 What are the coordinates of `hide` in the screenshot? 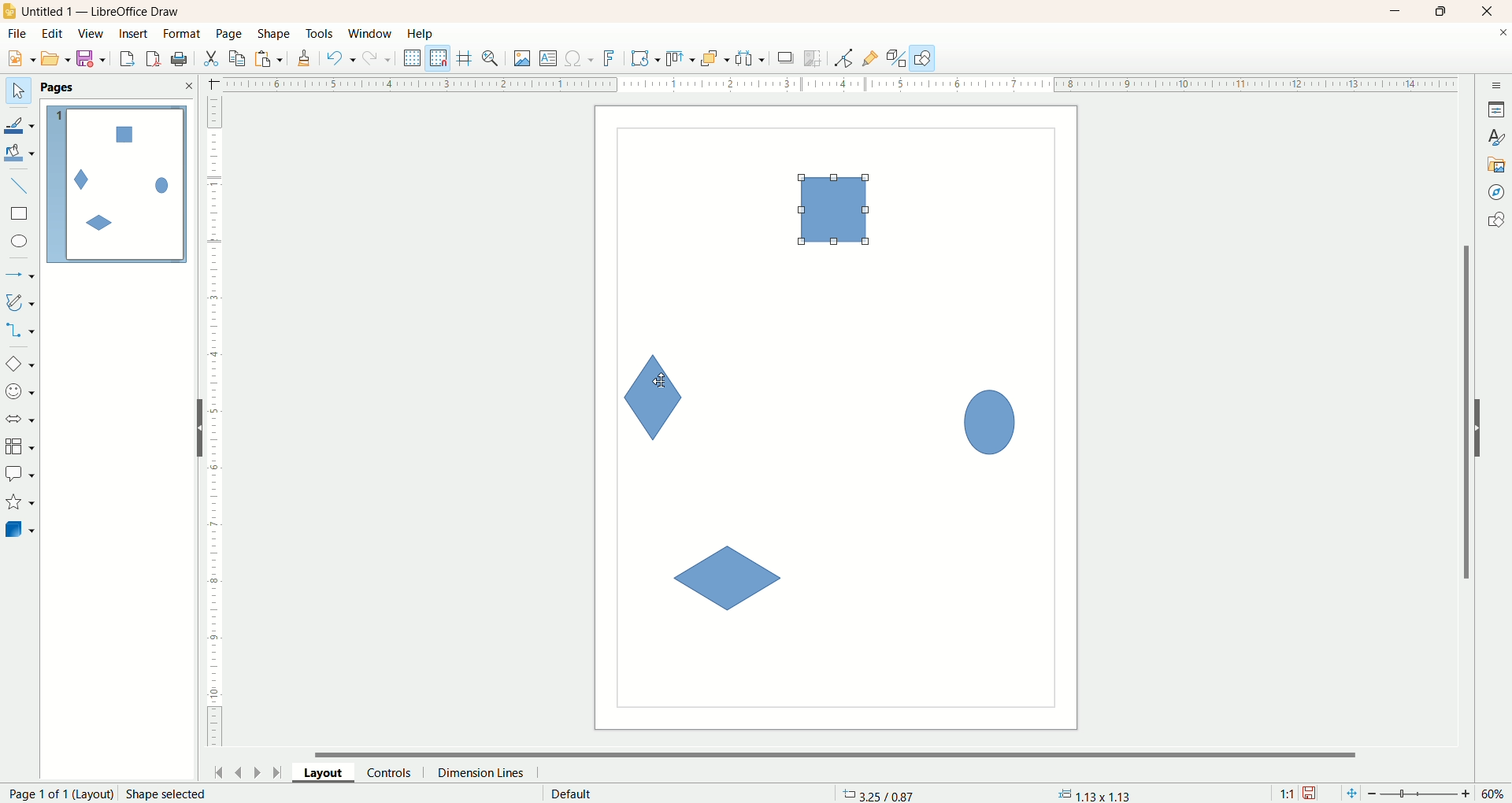 It's located at (193, 431).